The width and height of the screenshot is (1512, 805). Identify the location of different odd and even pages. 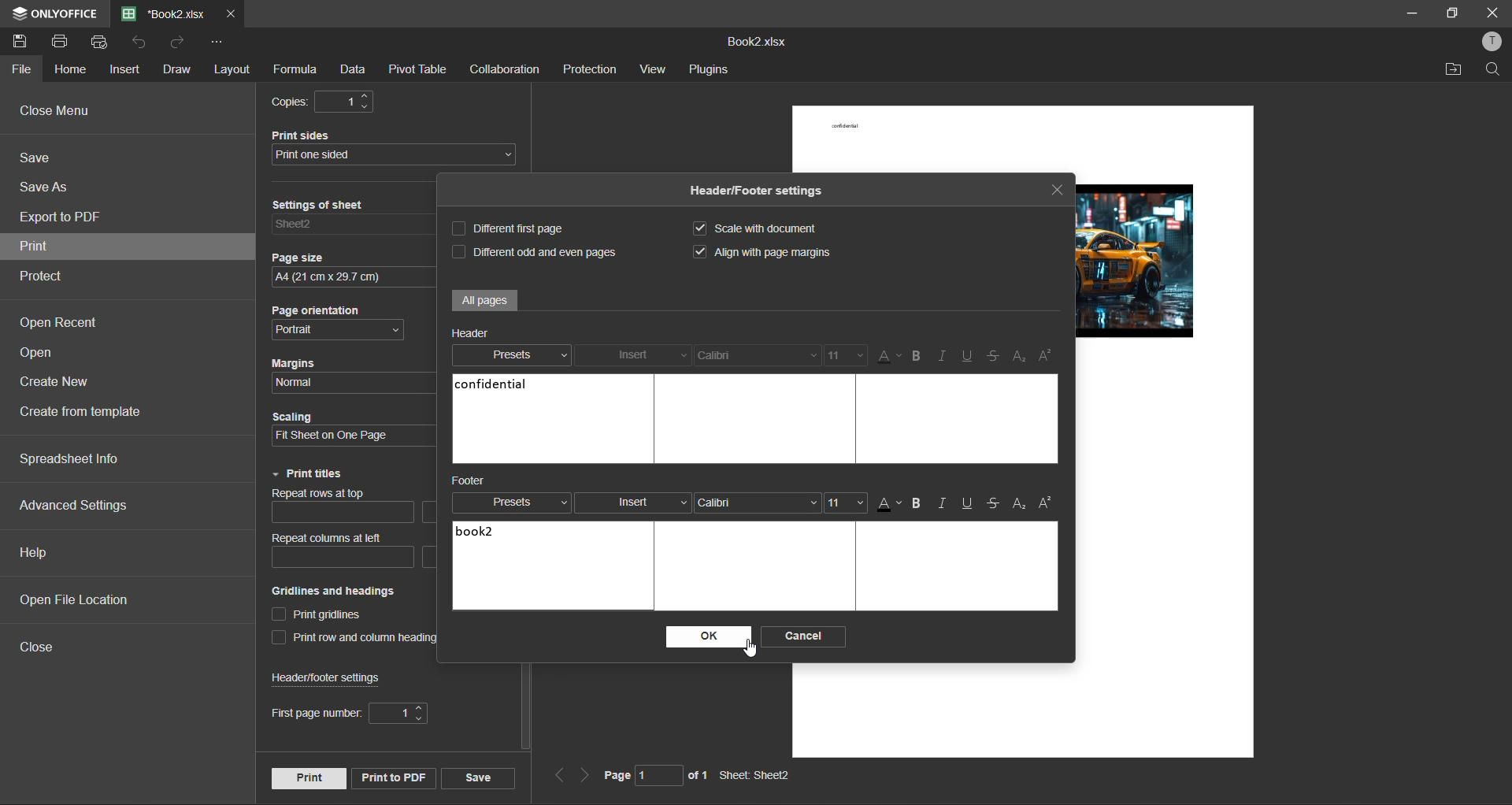
(534, 250).